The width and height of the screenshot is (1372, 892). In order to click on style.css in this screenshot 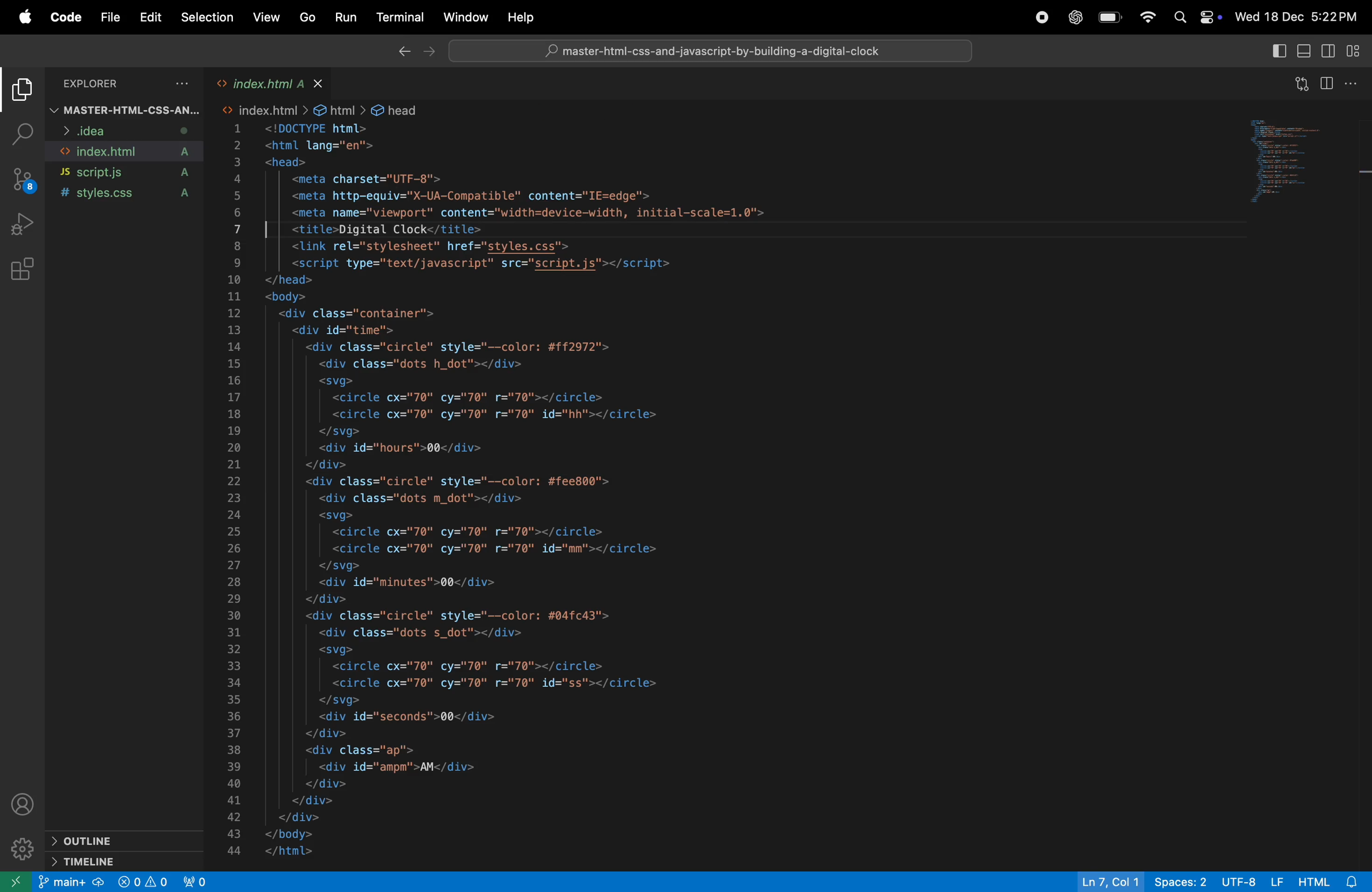, I will do `click(129, 195)`.